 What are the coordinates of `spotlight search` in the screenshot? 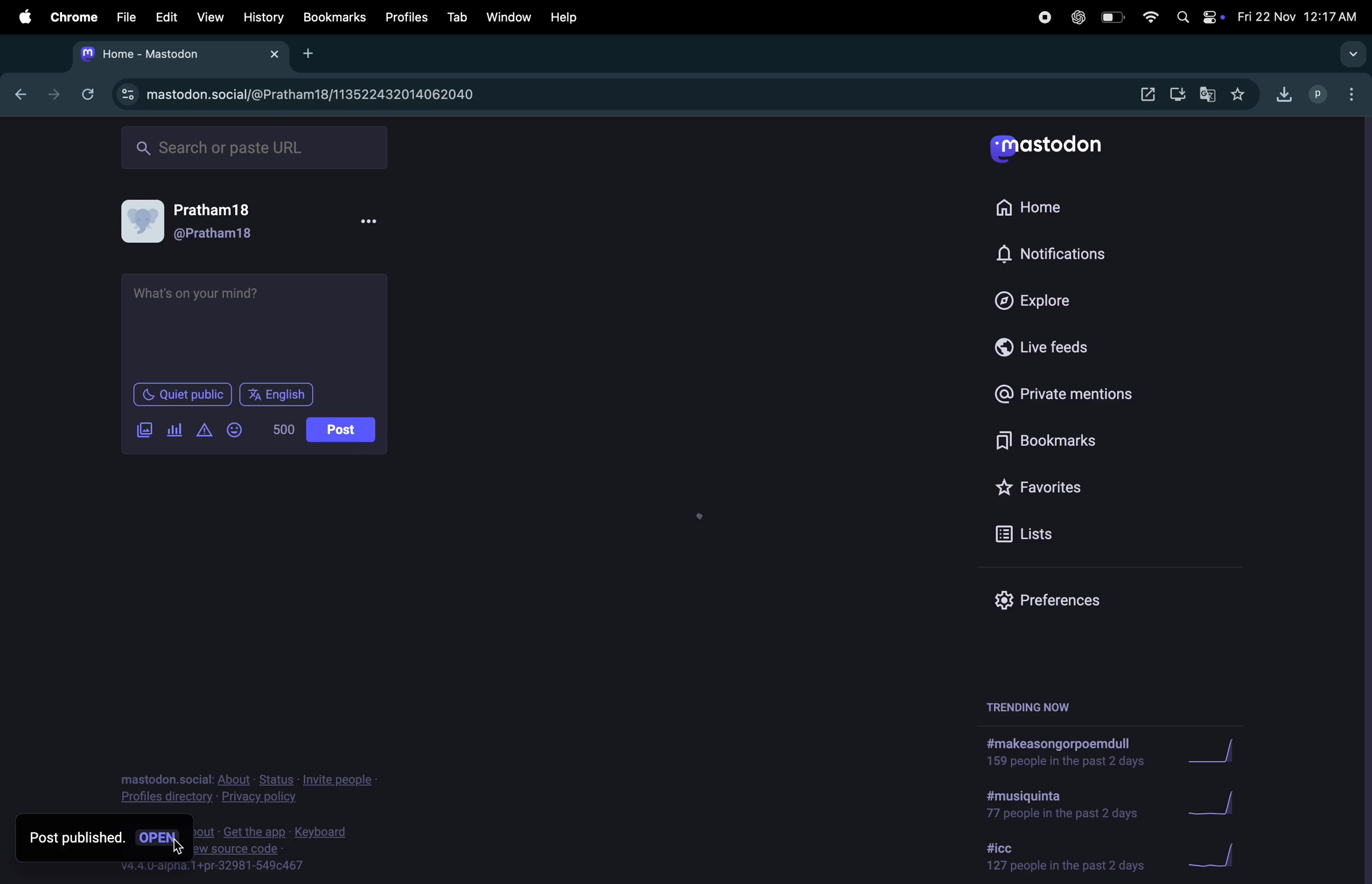 It's located at (1182, 19).